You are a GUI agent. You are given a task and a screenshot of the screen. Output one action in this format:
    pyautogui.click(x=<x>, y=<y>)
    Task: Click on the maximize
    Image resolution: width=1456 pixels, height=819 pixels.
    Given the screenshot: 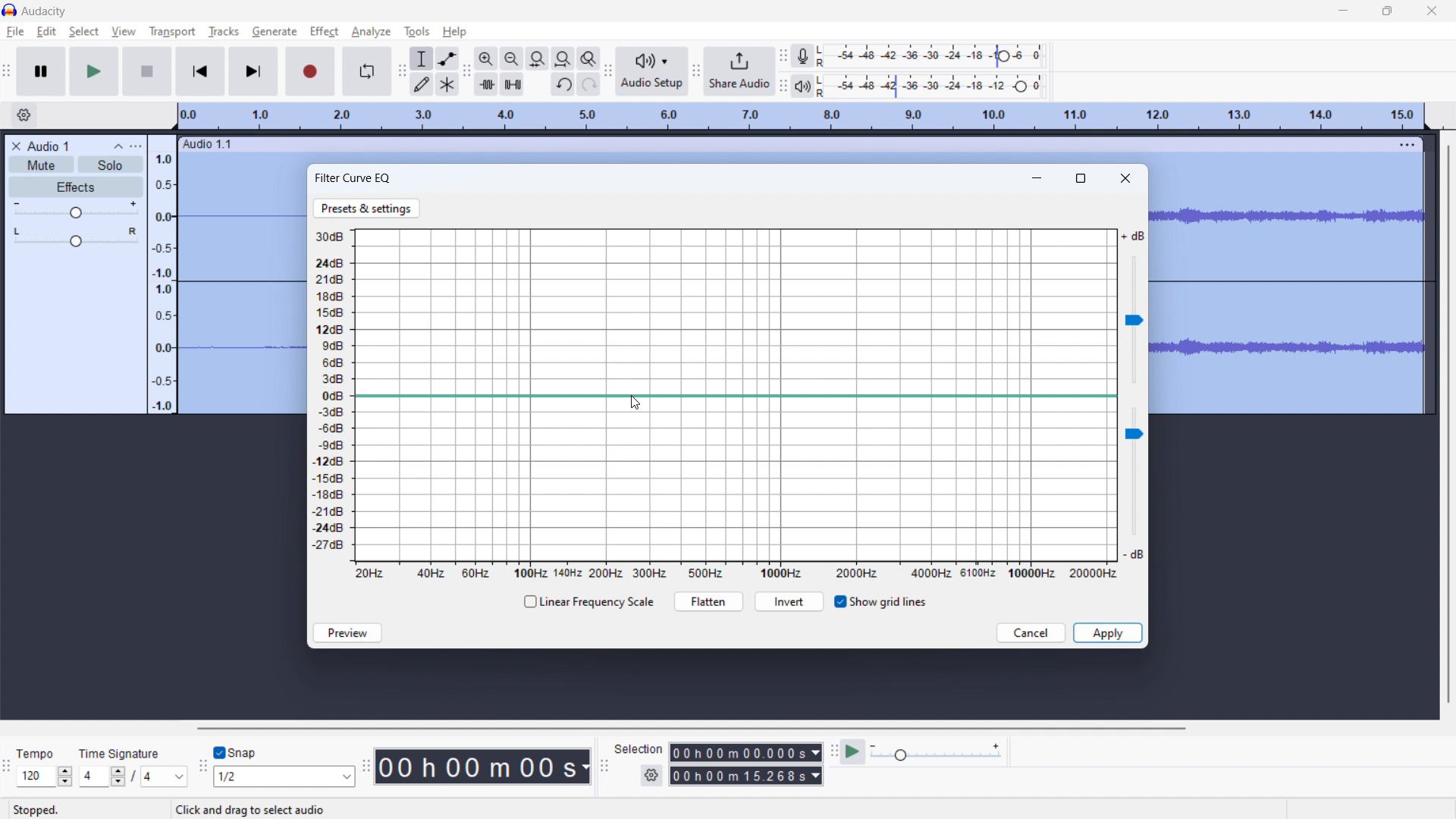 What is the action you would take?
    pyautogui.click(x=1387, y=11)
    